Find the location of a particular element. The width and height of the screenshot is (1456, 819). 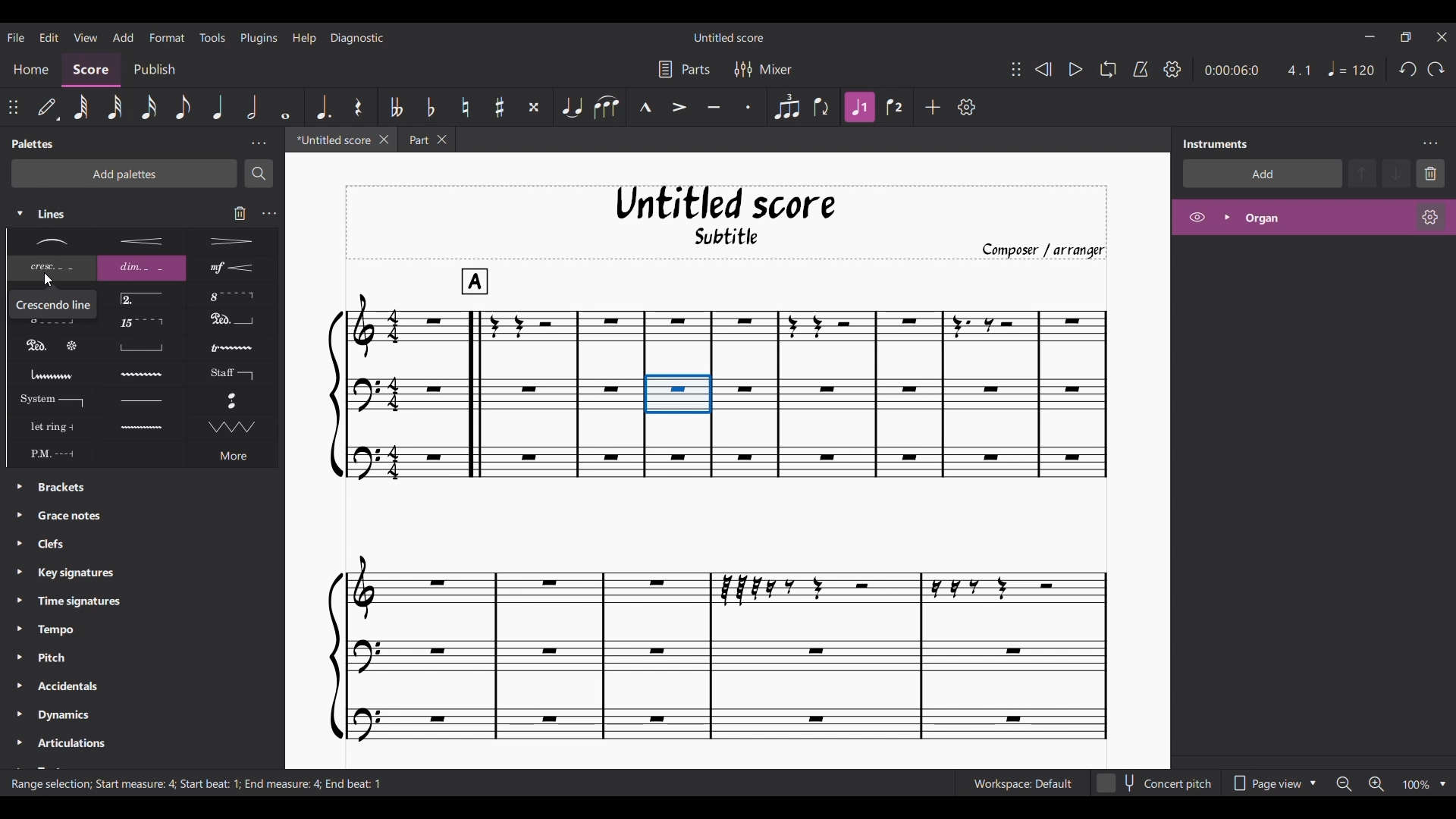

Title, sub-title, and composer name of score is located at coordinates (727, 222).